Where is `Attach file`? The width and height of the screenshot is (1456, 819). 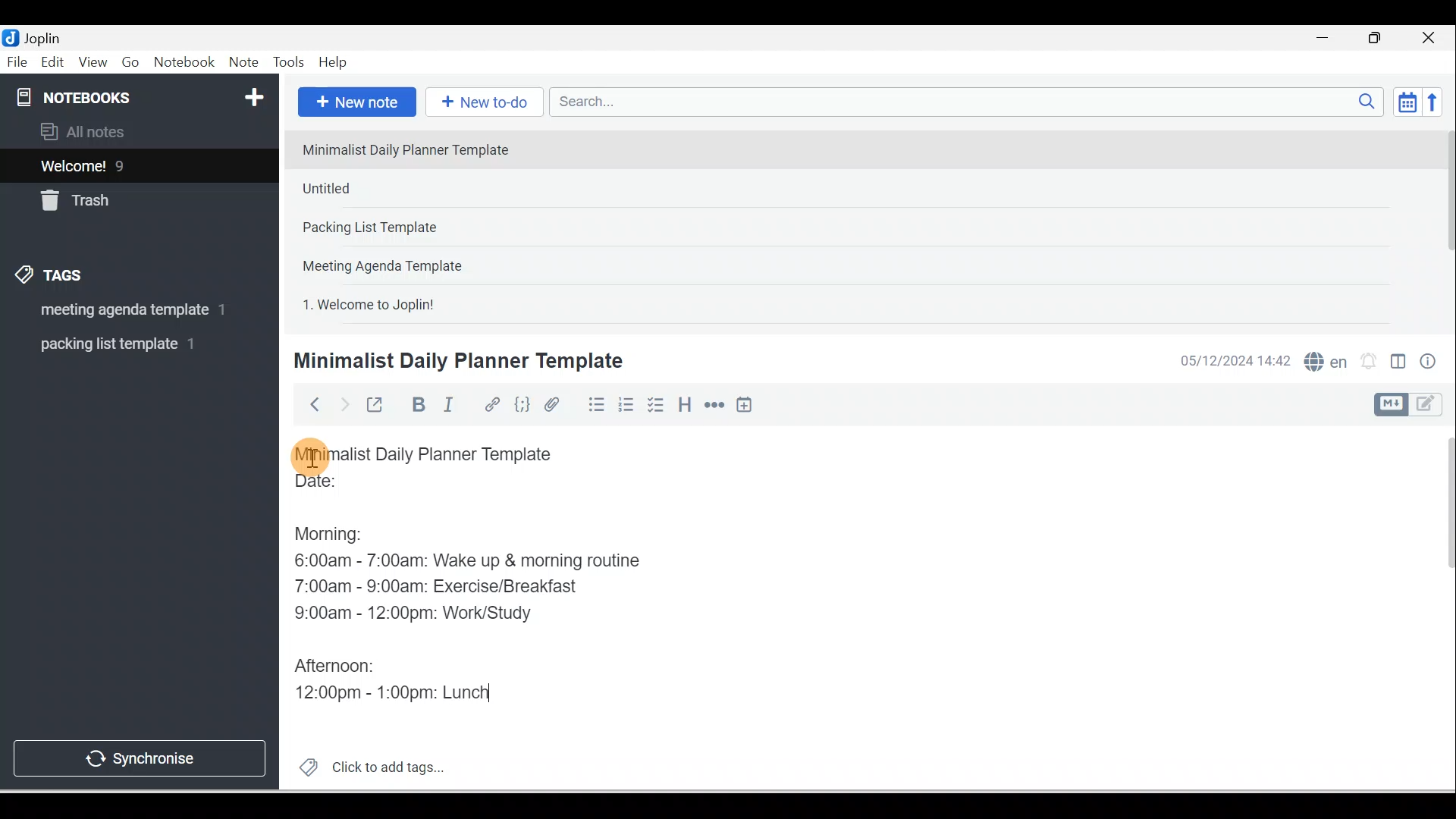
Attach file is located at coordinates (556, 404).